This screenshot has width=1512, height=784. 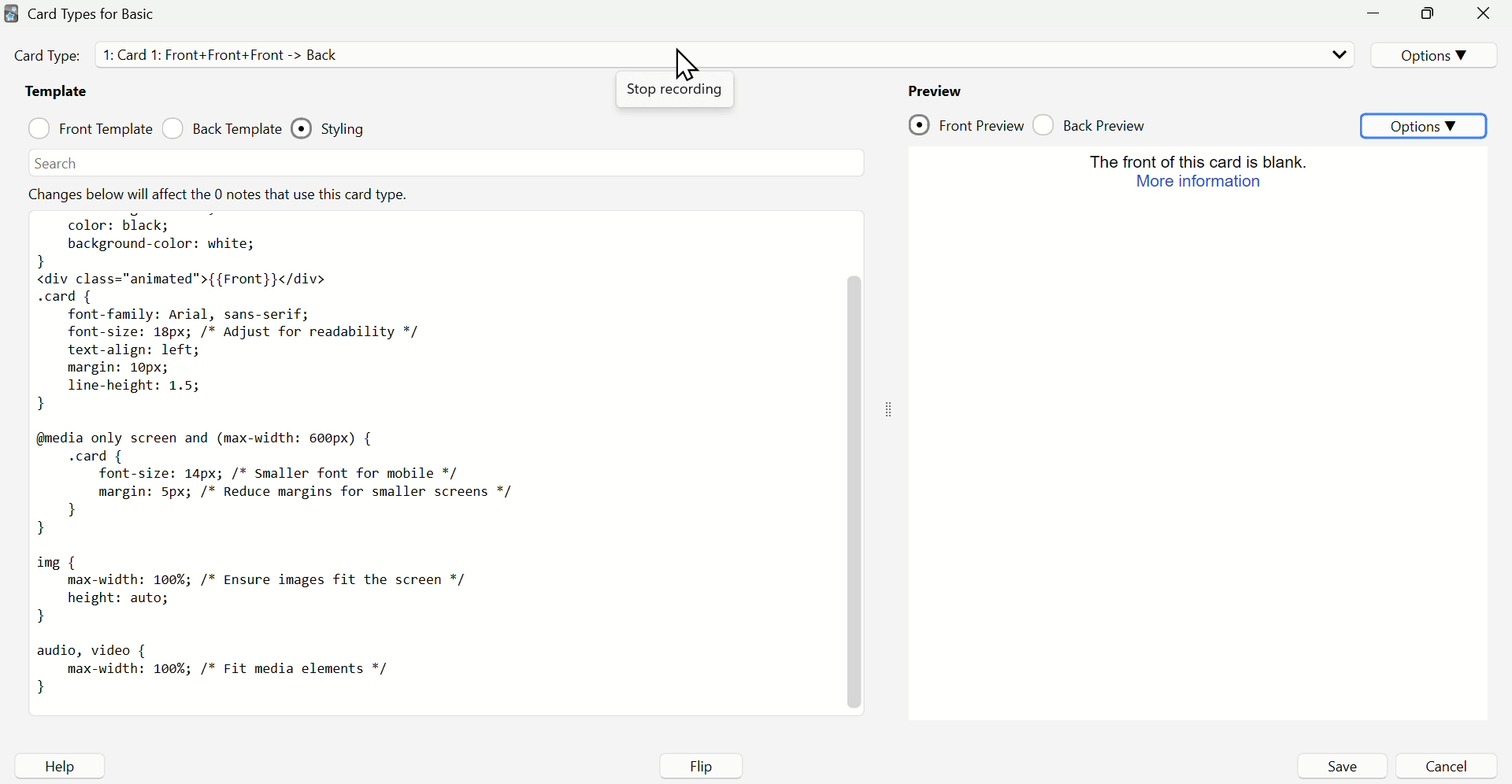 What do you see at coordinates (90, 128) in the screenshot?
I see `Front Template` at bounding box center [90, 128].